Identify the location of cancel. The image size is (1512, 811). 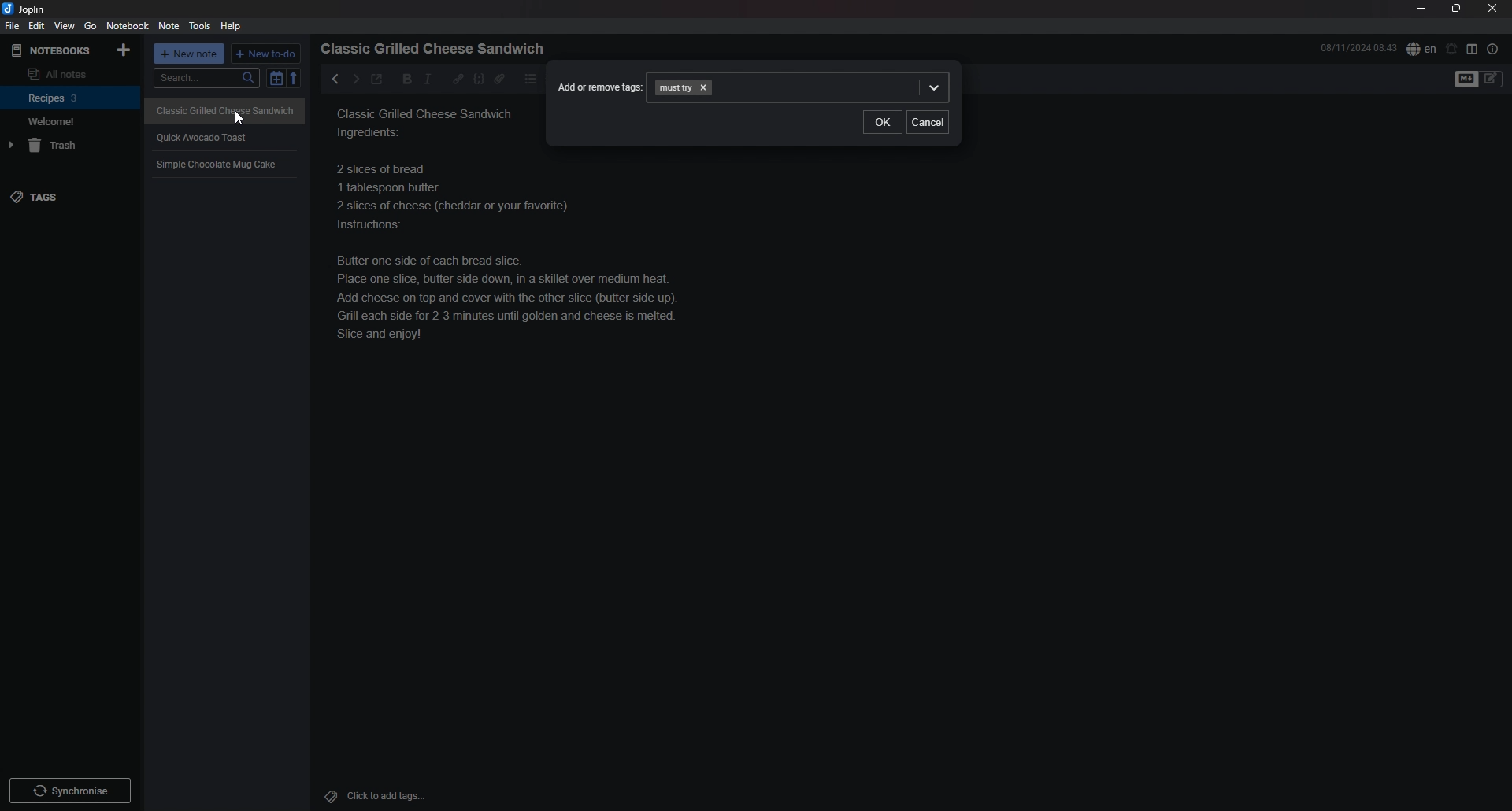
(928, 122).